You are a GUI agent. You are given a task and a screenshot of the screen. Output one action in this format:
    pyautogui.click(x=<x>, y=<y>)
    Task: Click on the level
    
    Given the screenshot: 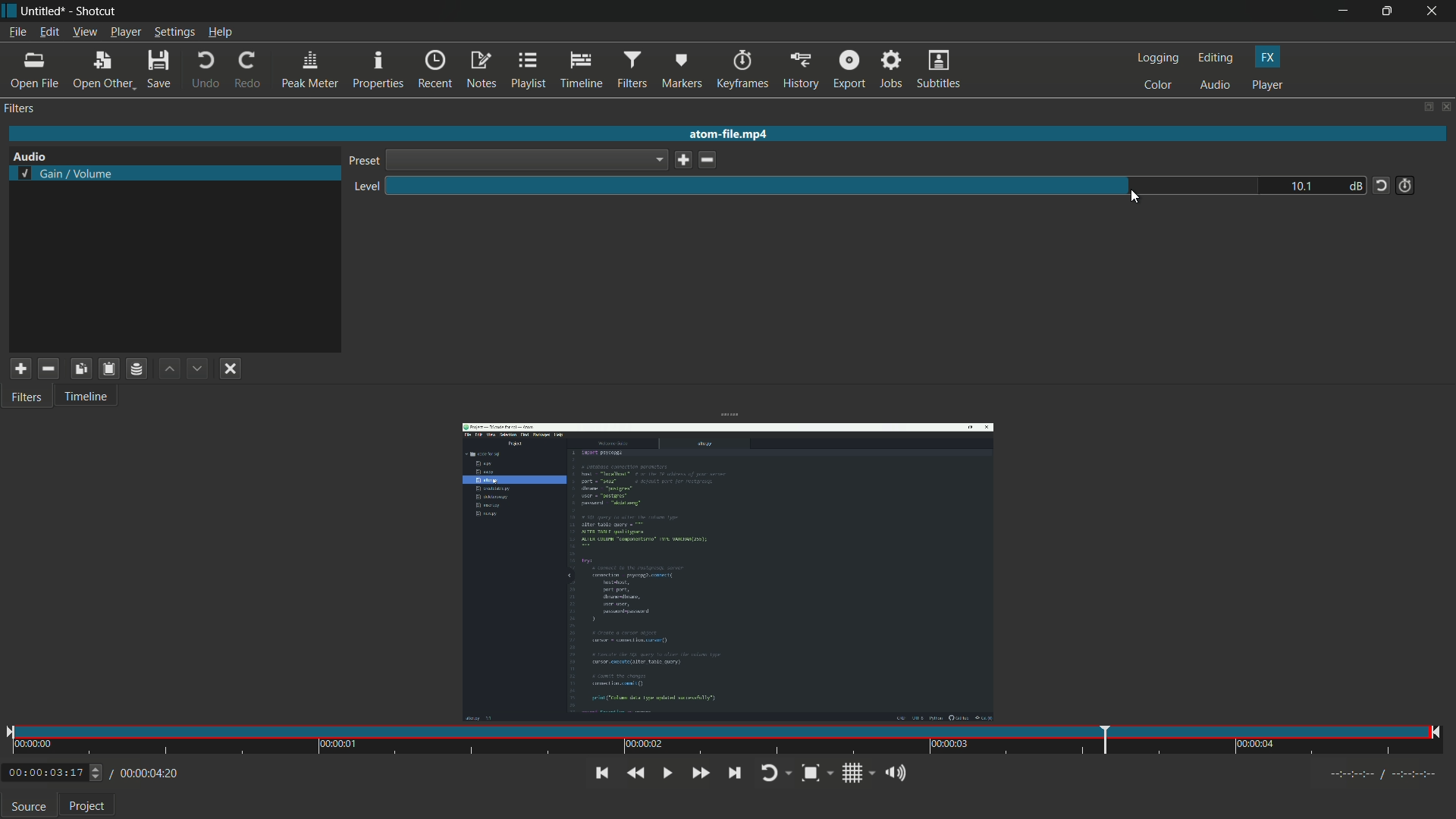 What is the action you would take?
    pyautogui.click(x=366, y=187)
    